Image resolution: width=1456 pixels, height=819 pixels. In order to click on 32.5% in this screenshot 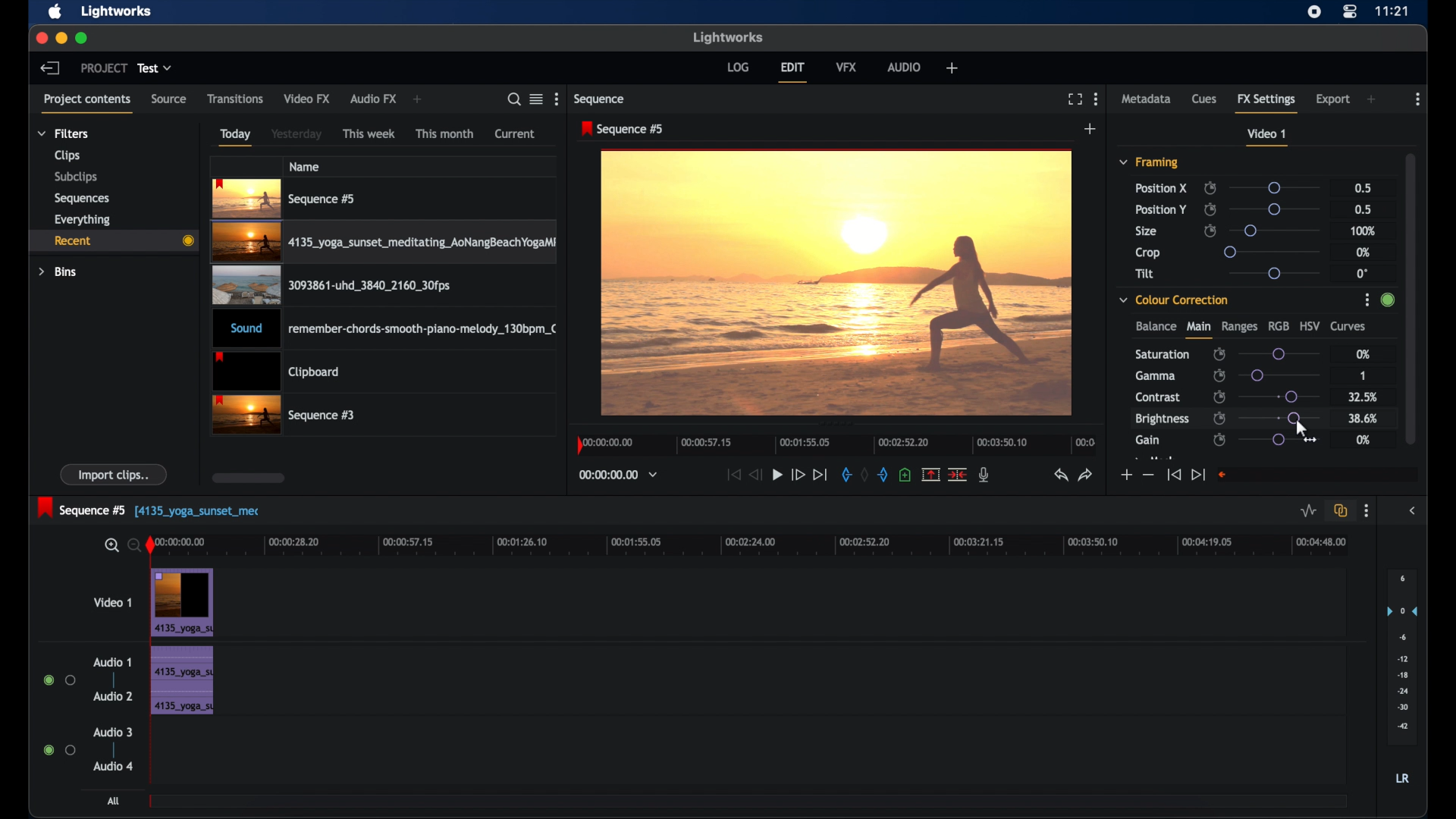, I will do `click(1364, 397)`.